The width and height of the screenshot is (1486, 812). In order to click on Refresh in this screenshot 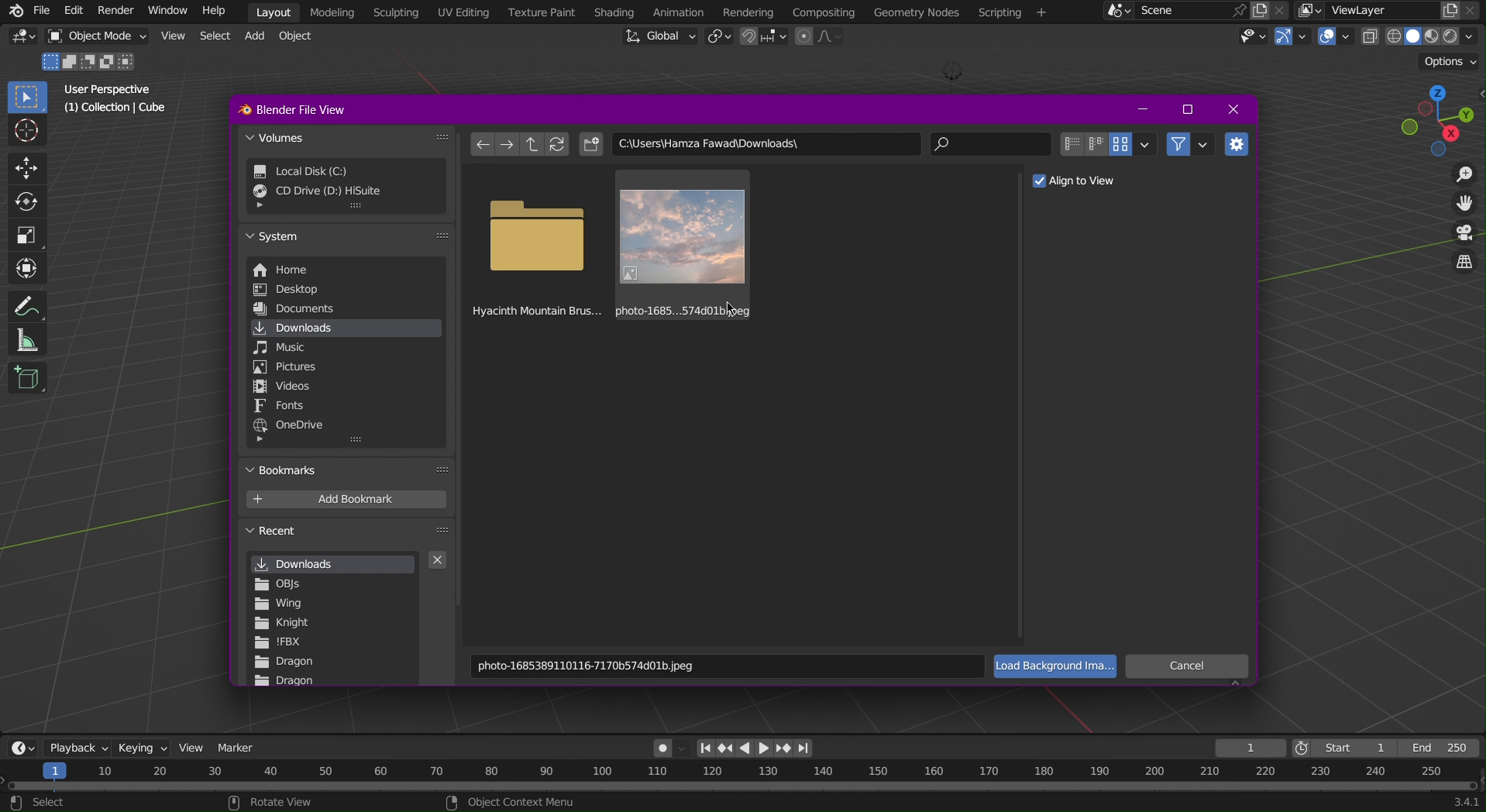, I will do `click(556, 144)`.